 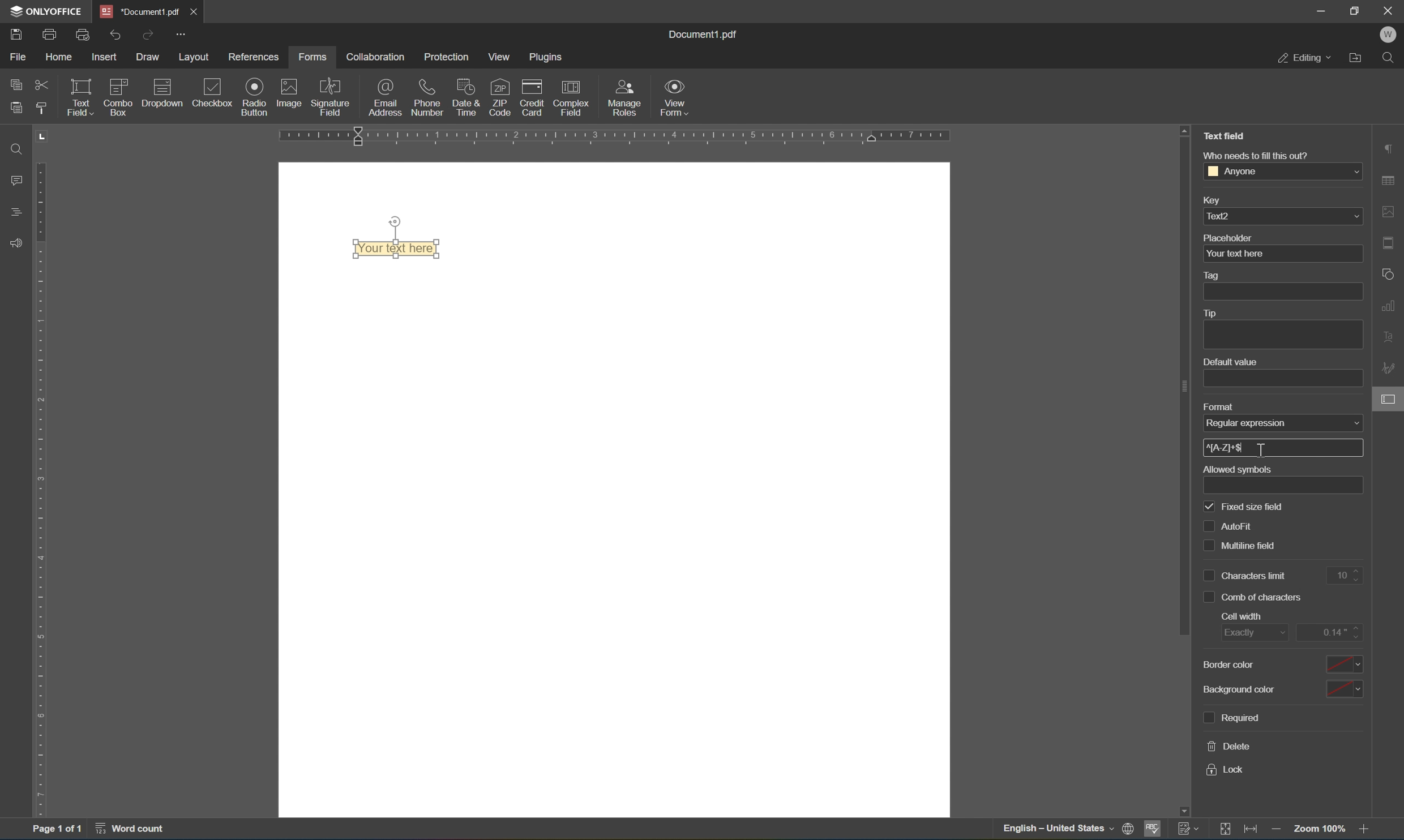 What do you see at coordinates (1235, 254) in the screenshot?
I see `your text here` at bounding box center [1235, 254].